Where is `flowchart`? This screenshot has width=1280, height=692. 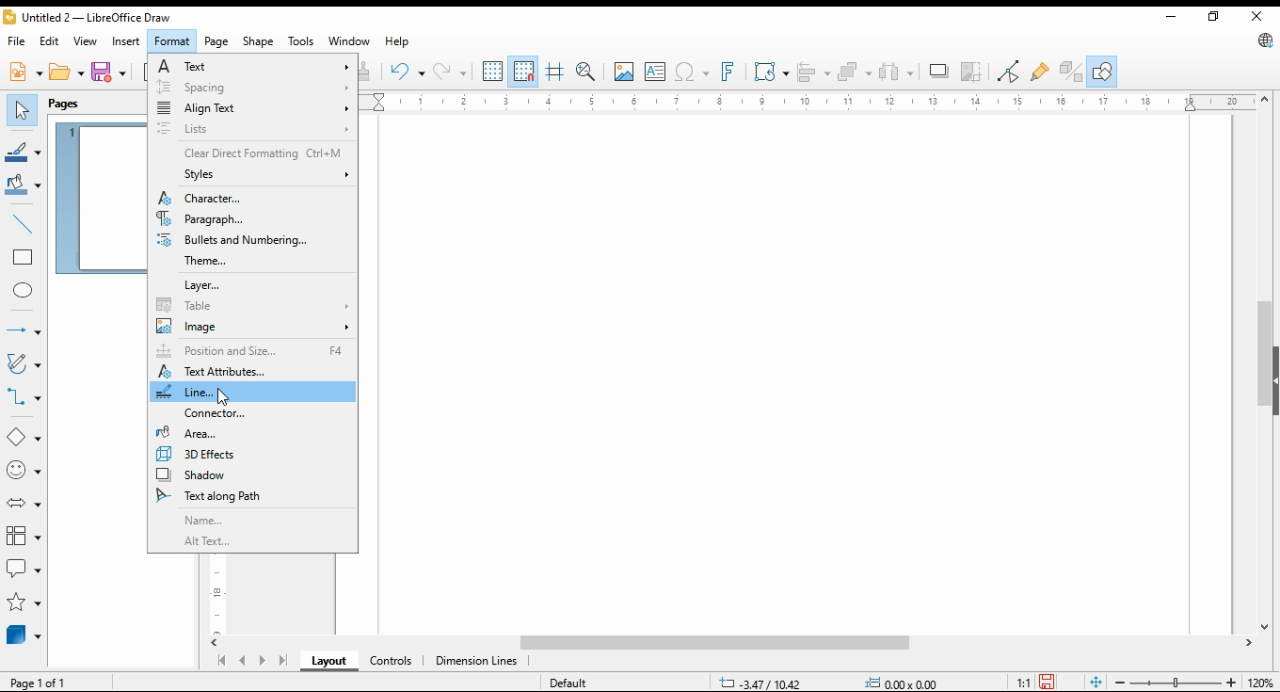 flowchart is located at coordinates (25, 536).